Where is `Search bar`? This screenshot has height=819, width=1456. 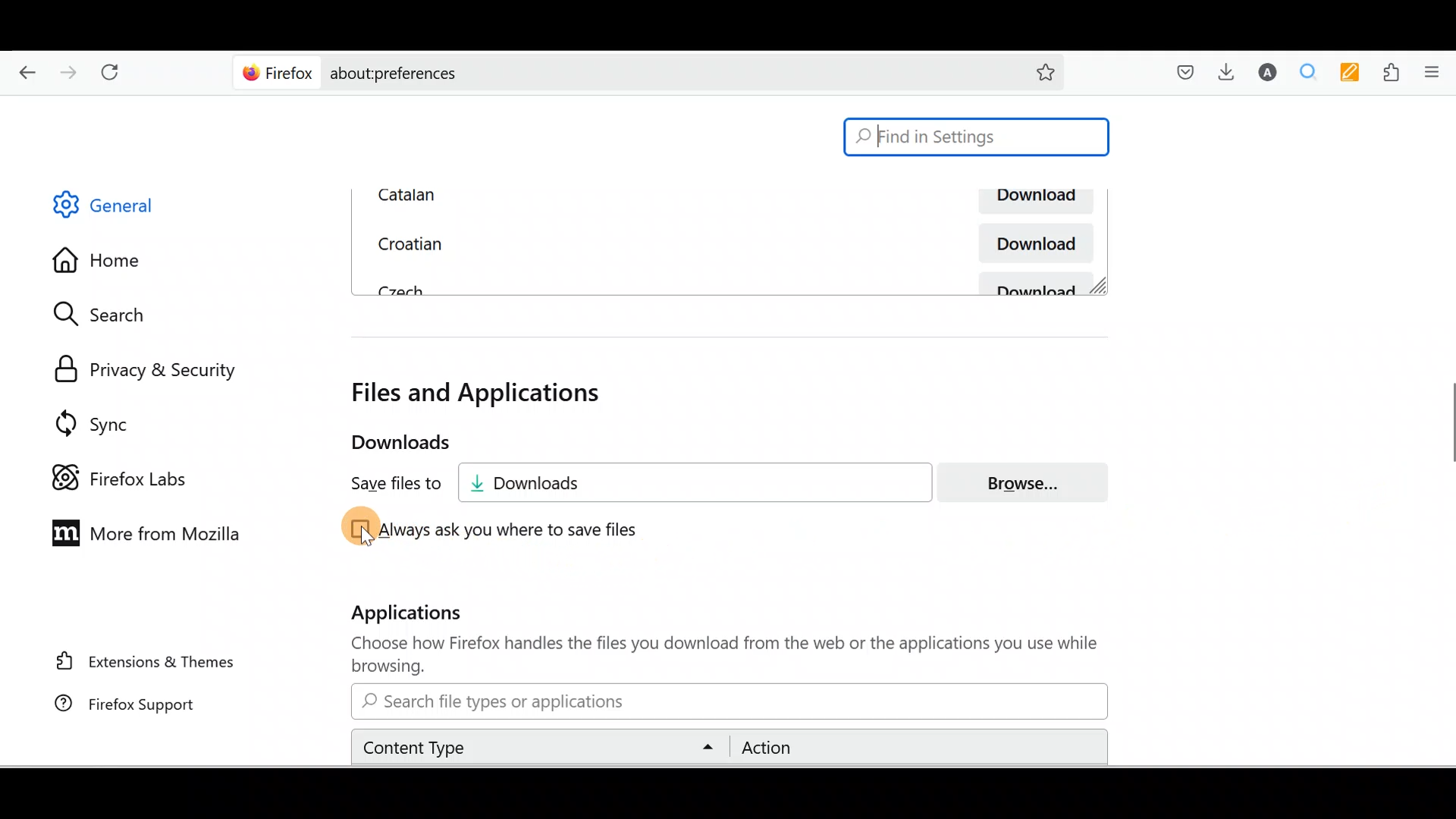
Search bar is located at coordinates (977, 137).